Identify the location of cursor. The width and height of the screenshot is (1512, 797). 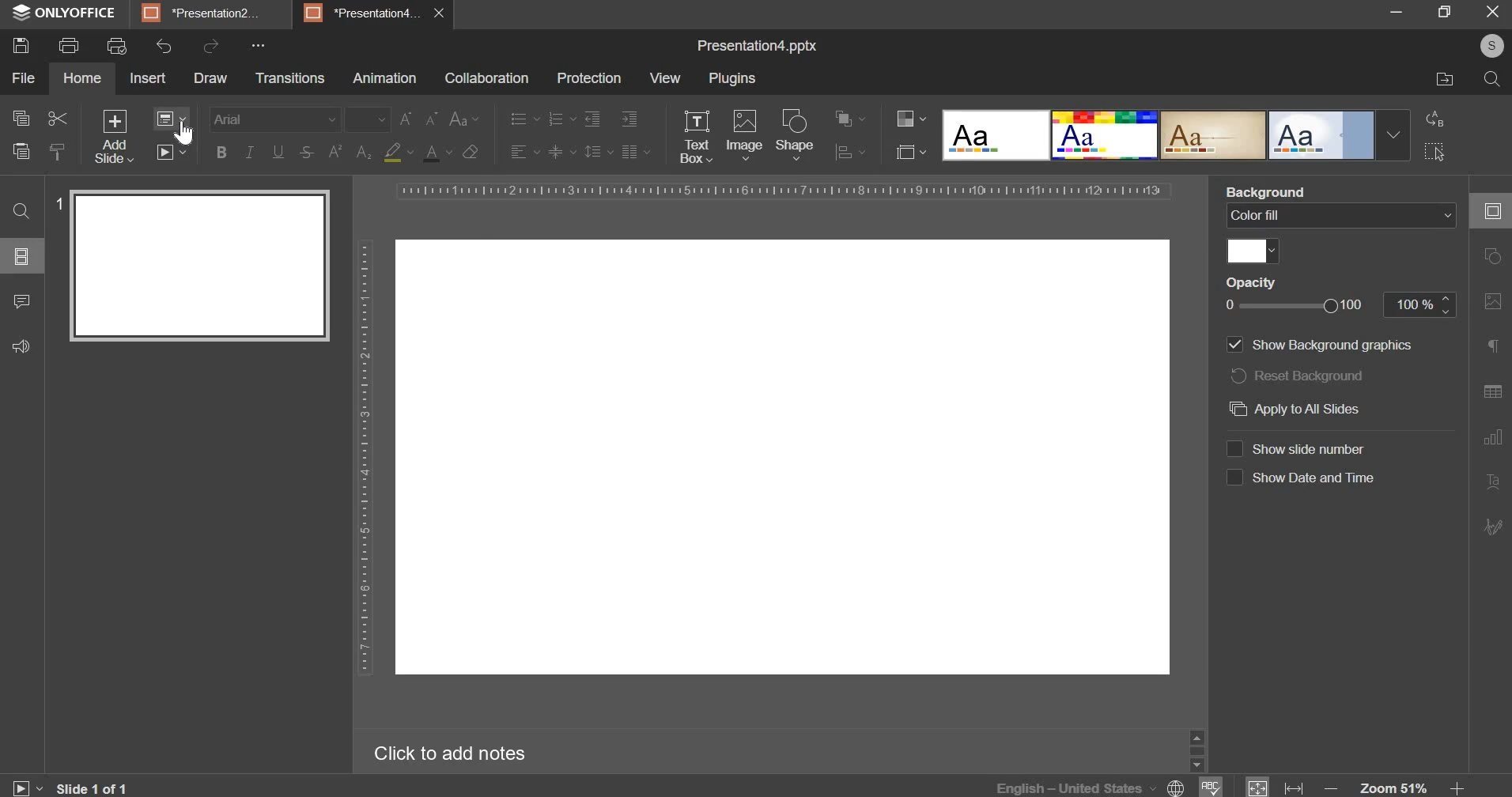
(187, 134).